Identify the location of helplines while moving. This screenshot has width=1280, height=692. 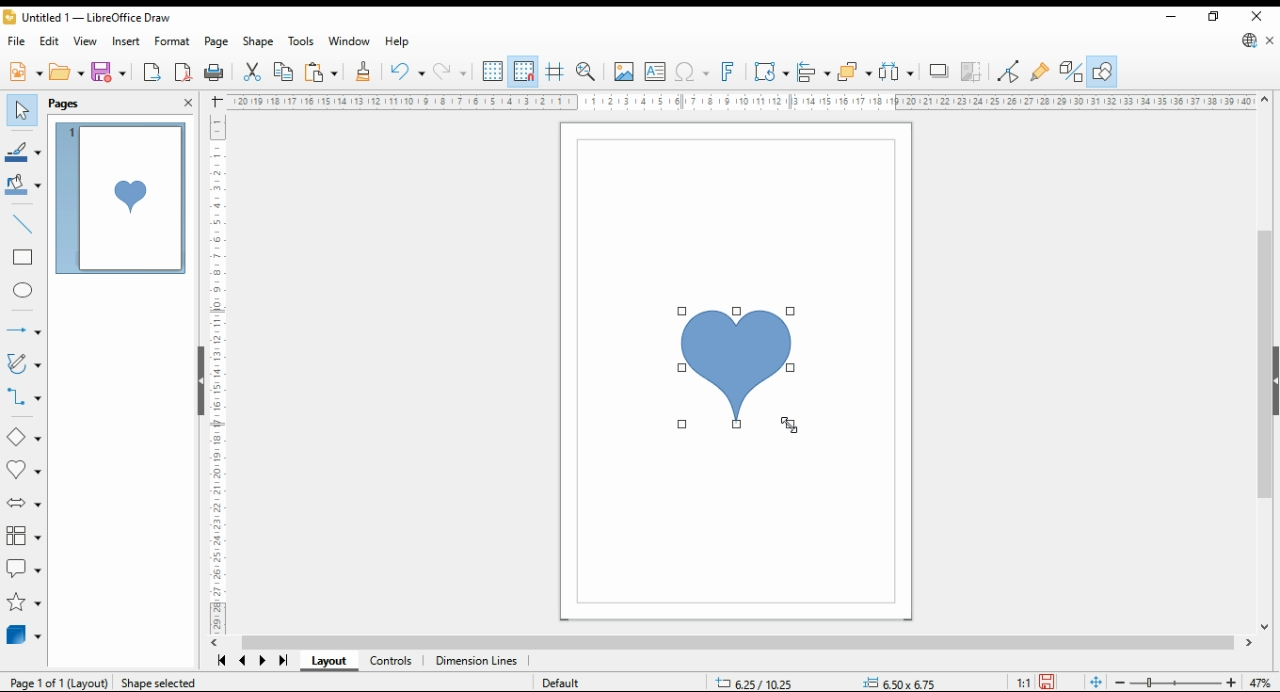
(556, 72).